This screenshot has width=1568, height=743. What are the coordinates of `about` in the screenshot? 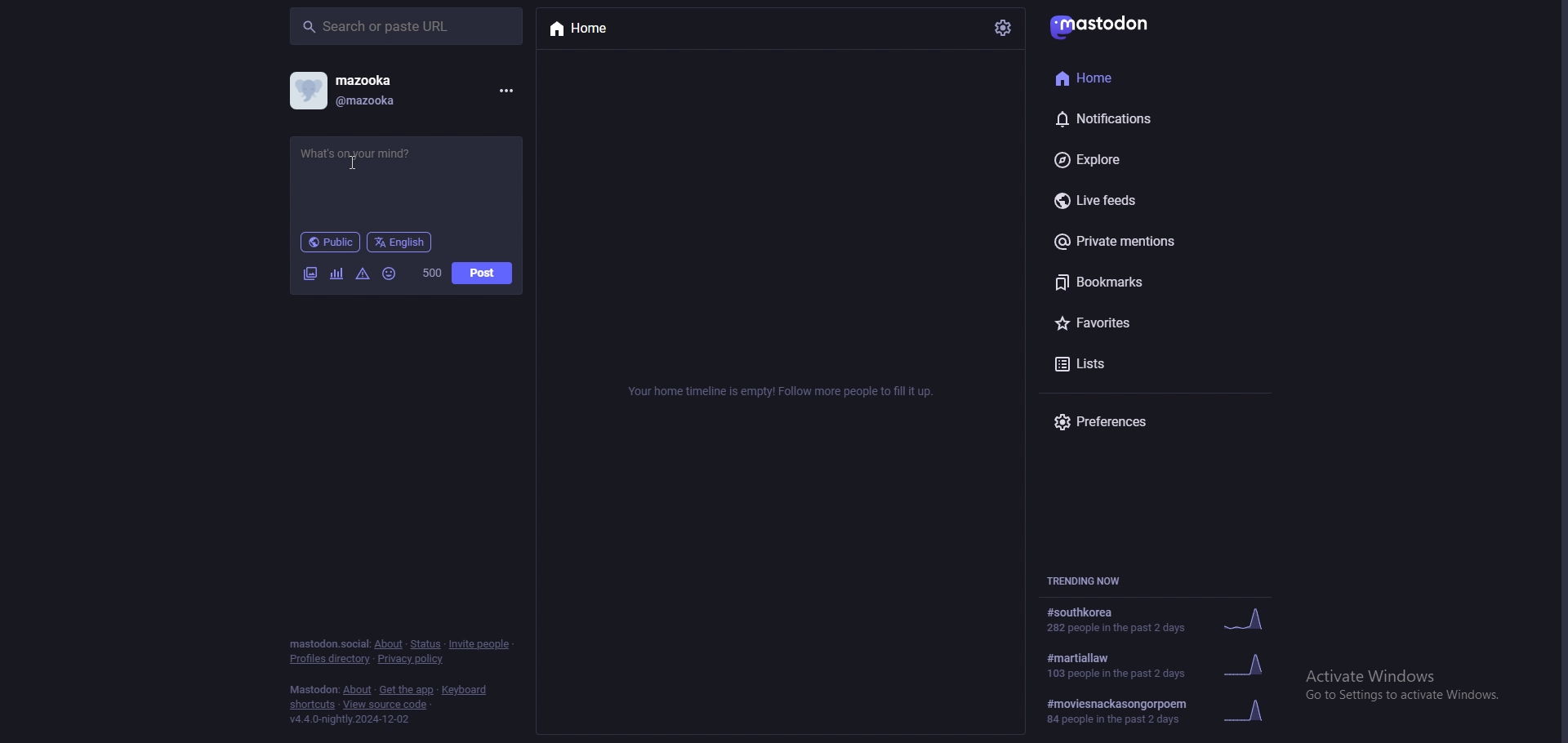 It's located at (389, 644).